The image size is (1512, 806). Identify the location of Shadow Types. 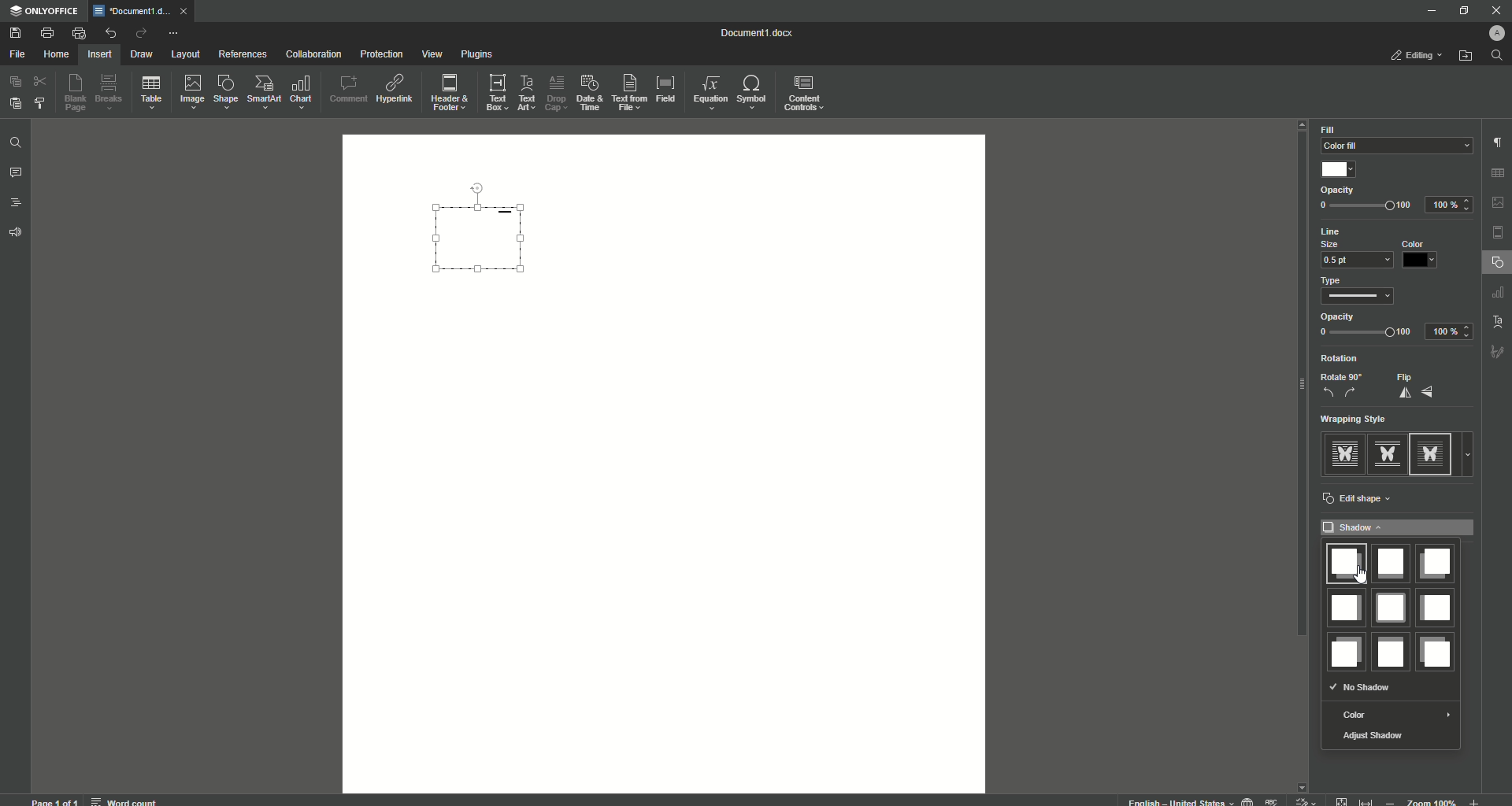
(1389, 606).